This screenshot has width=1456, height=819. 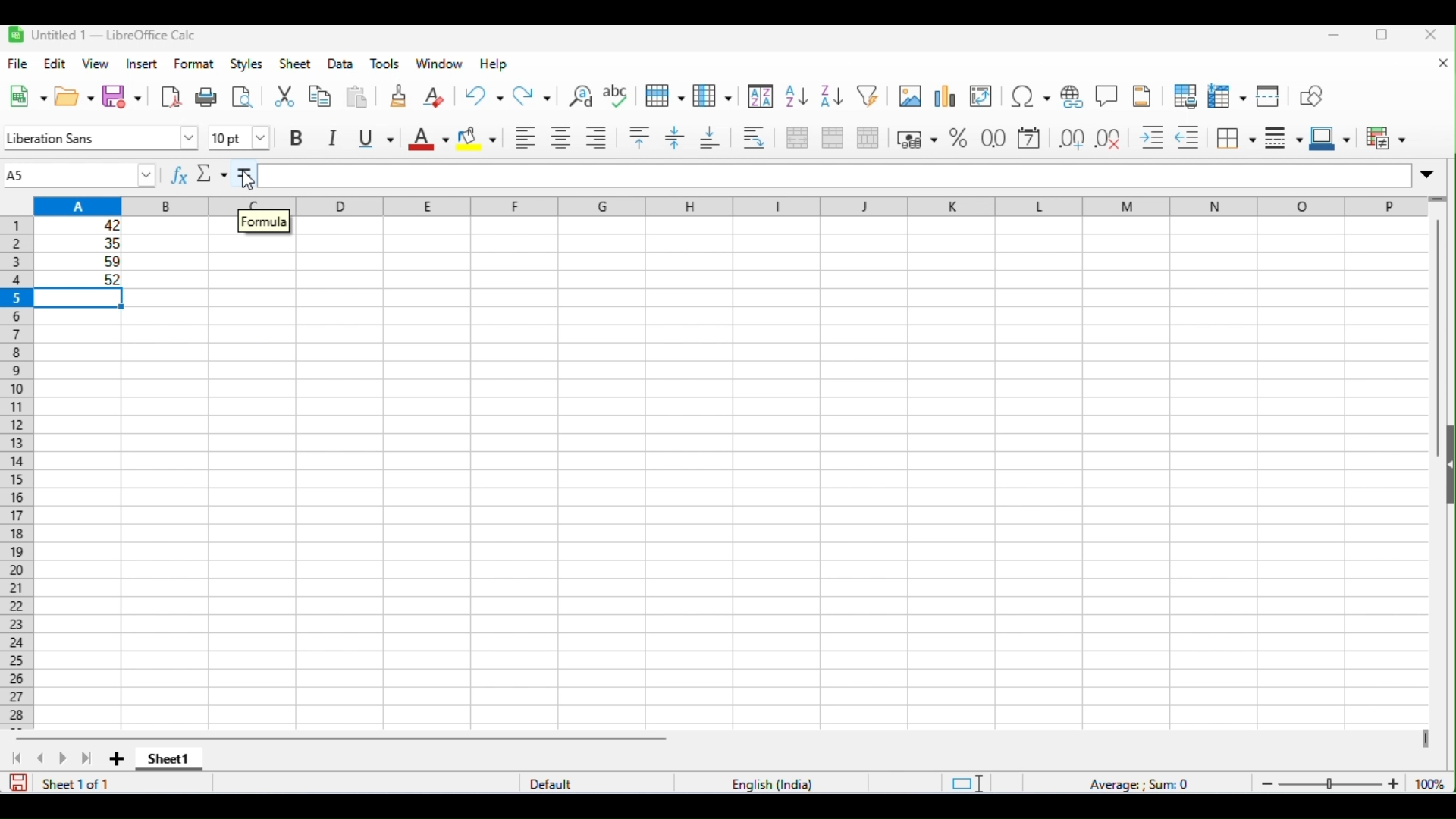 What do you see at coordinates (965, 783) in the screenshot?
I see `standard selection` at bounding box center [965, 783].